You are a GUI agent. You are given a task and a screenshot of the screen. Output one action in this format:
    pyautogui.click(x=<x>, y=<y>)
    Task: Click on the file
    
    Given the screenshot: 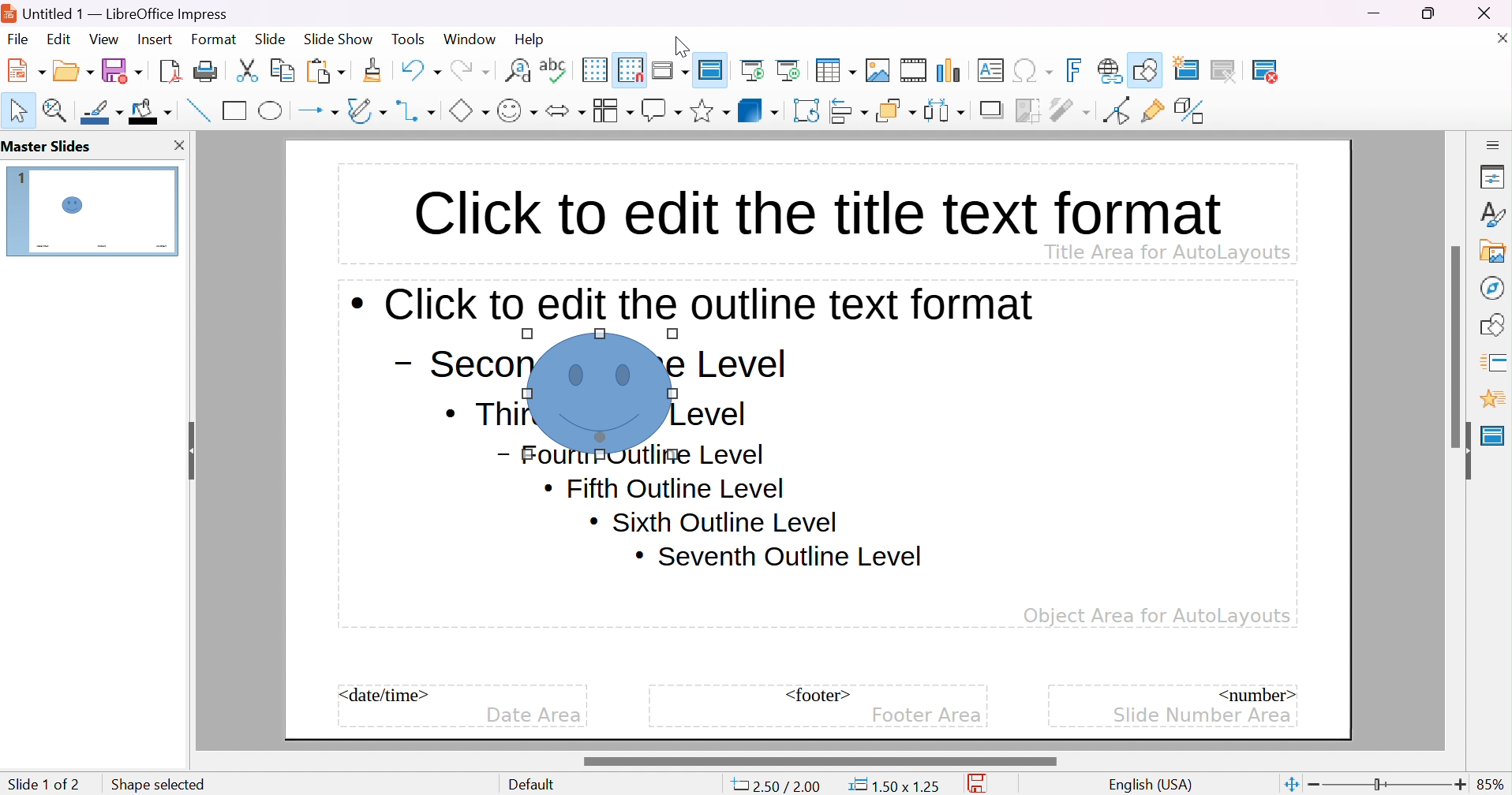 What is the action you would take?
    pyautogui.click(x=18, y=39)
    